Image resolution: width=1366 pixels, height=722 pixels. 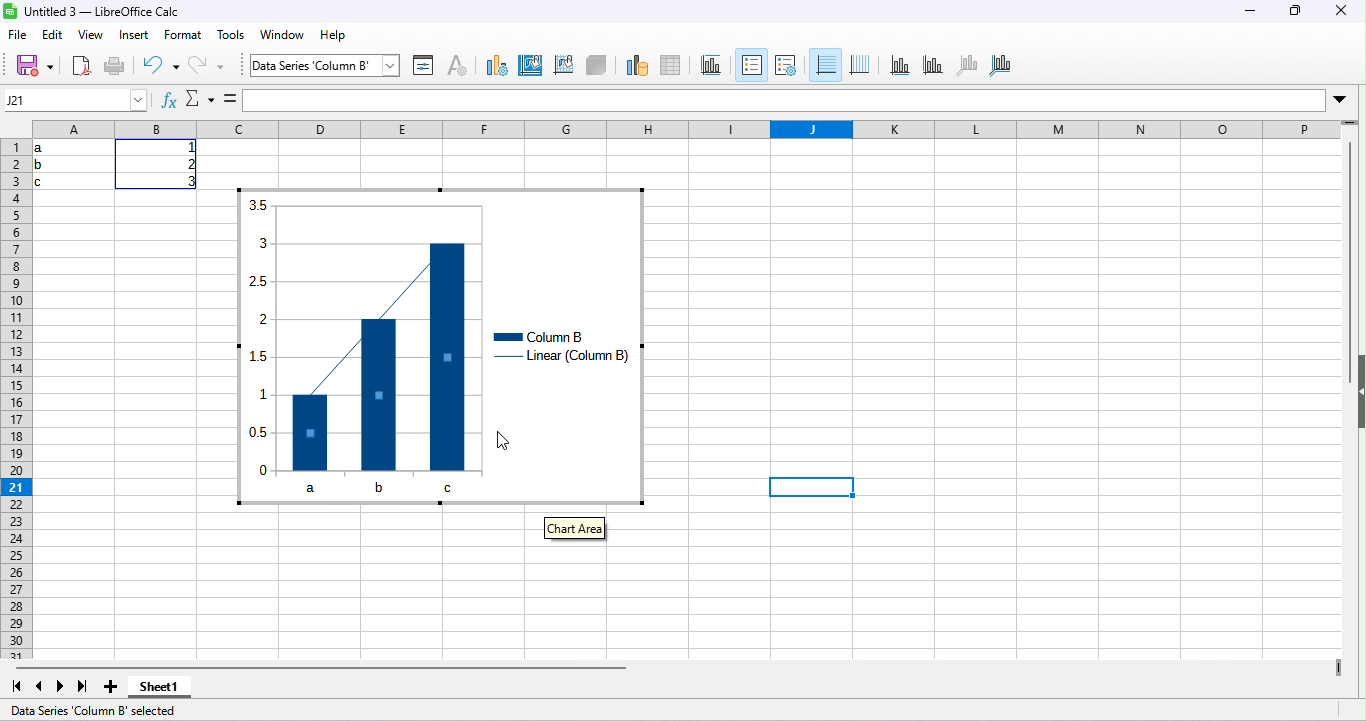 What do you see at coordinates (970, 64) in the screenshot?
I see `z axis` at bounding box center [970, 64].